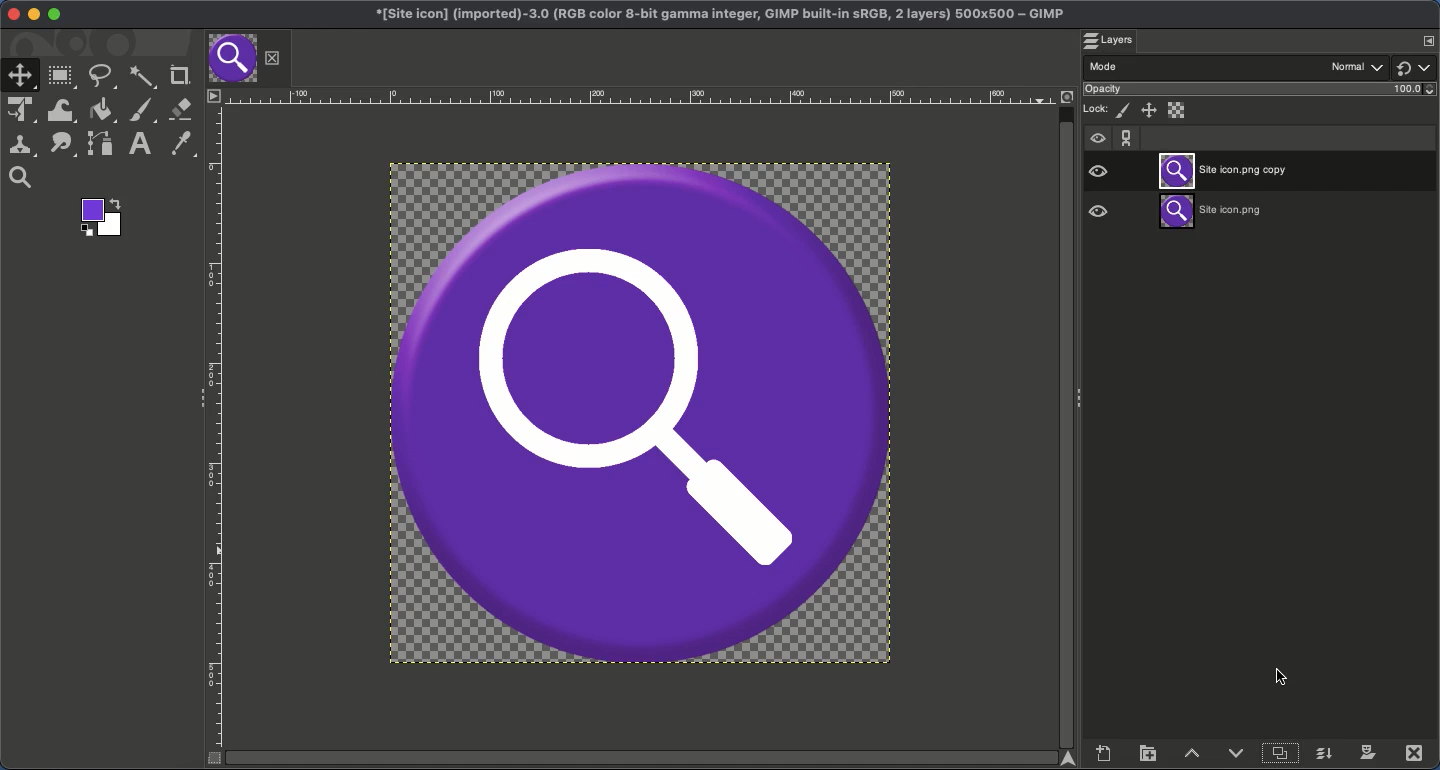 The image size is (1440, 770). I want to click on Text, so click(137, 145).